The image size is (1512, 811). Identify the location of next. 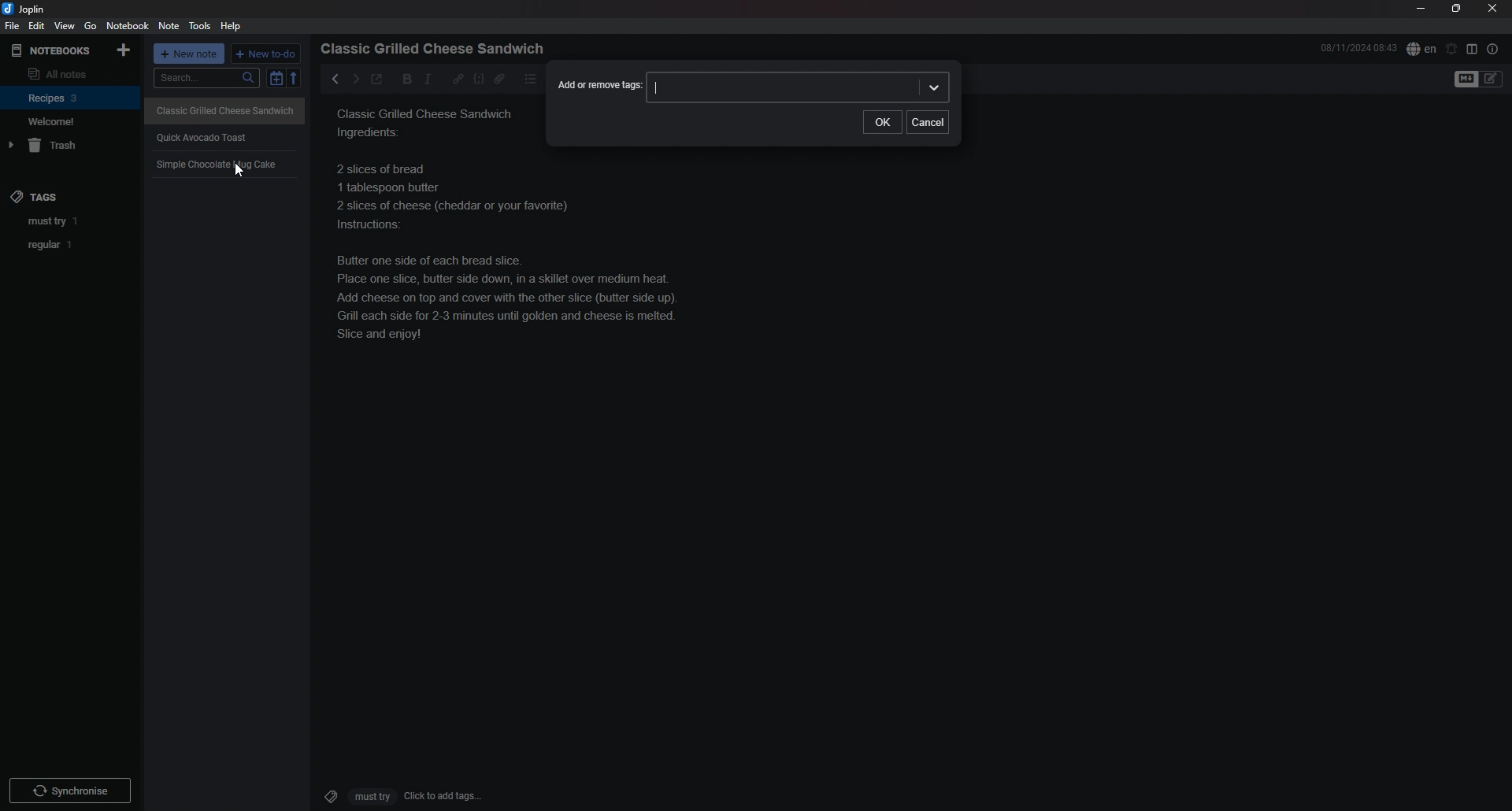
(354, 79).